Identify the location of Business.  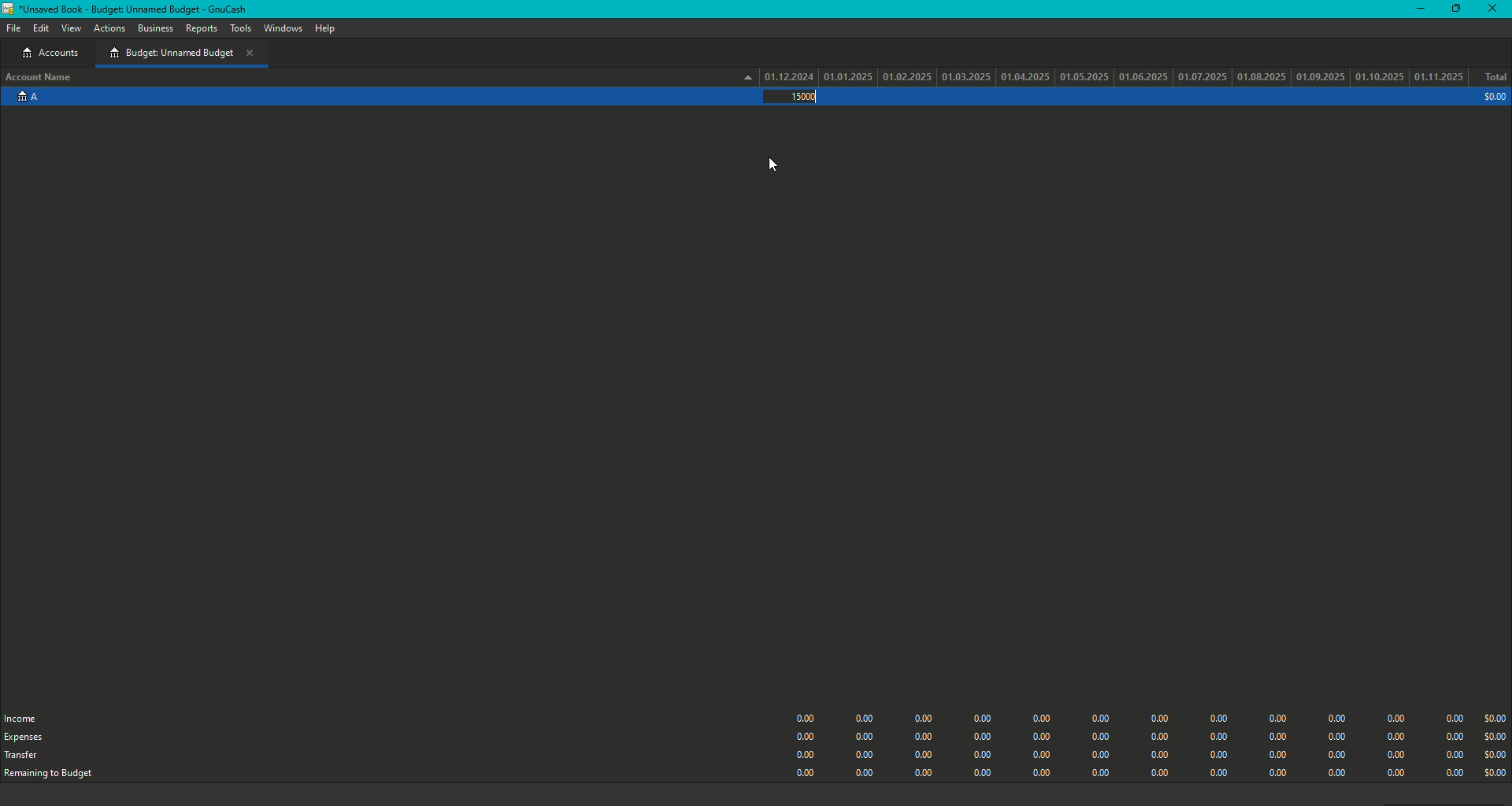
(155, 28).